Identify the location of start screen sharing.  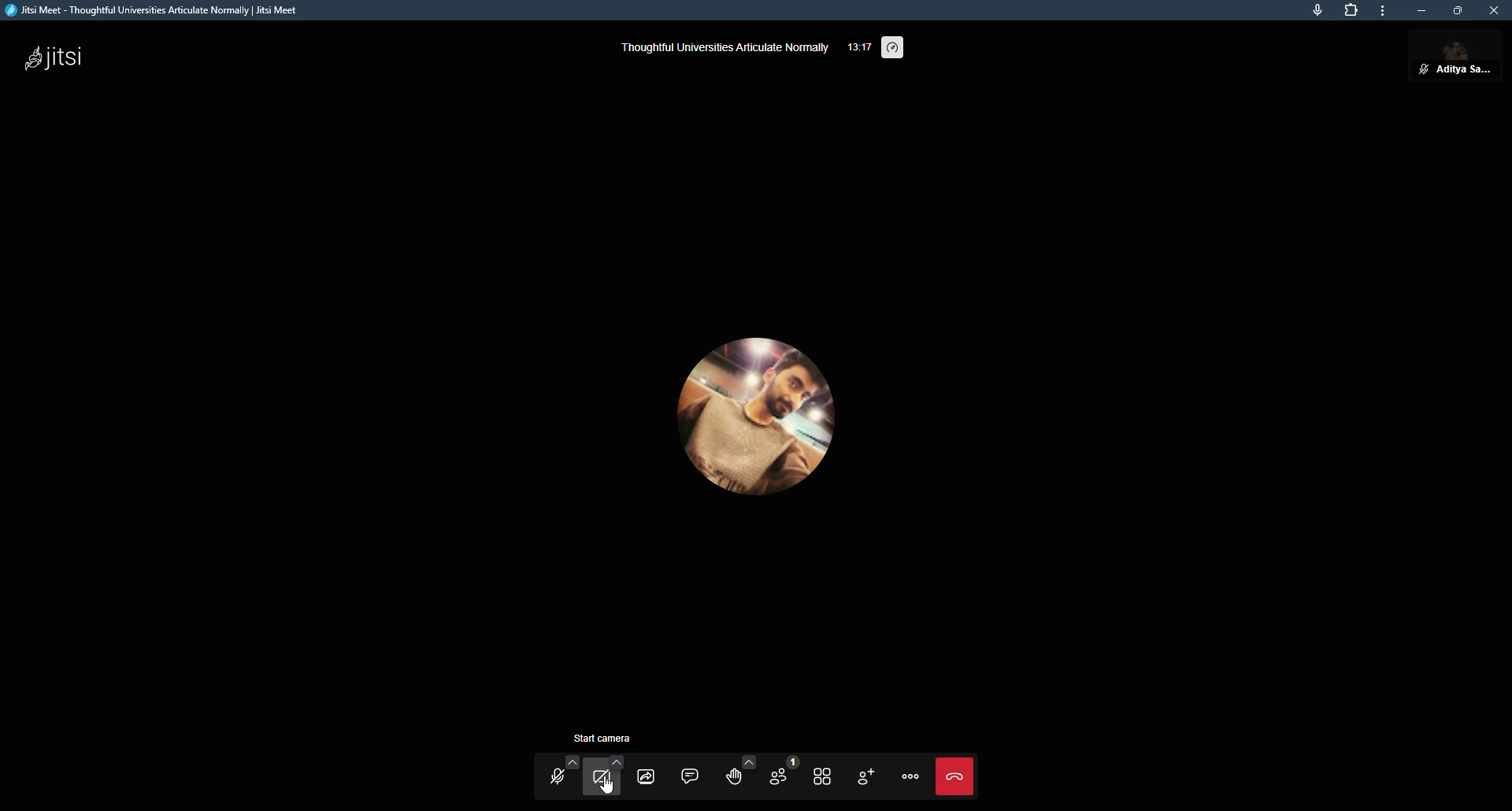
(646, 775).